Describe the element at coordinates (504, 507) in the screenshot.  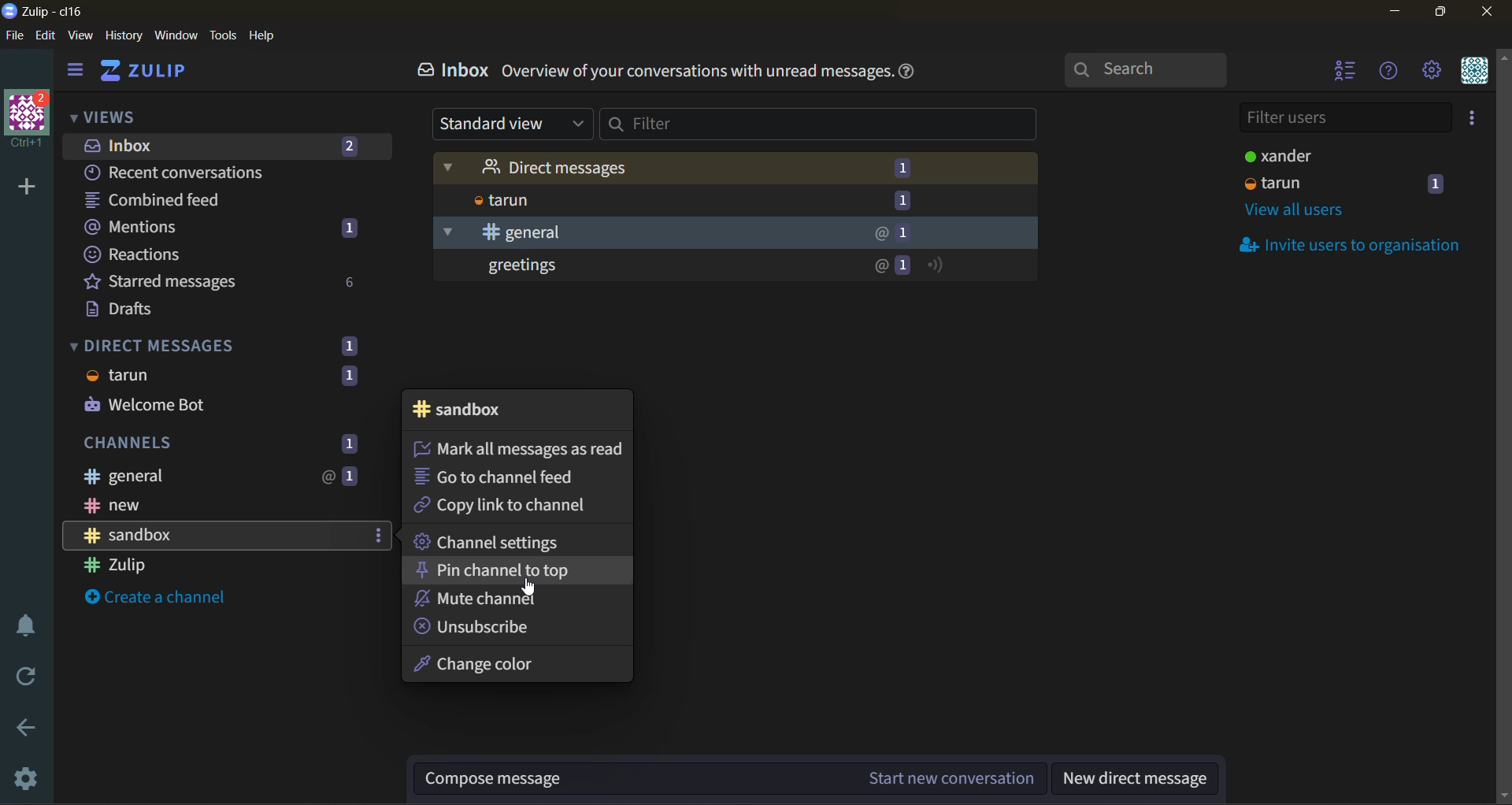
I see `copy link to channel` at that location.